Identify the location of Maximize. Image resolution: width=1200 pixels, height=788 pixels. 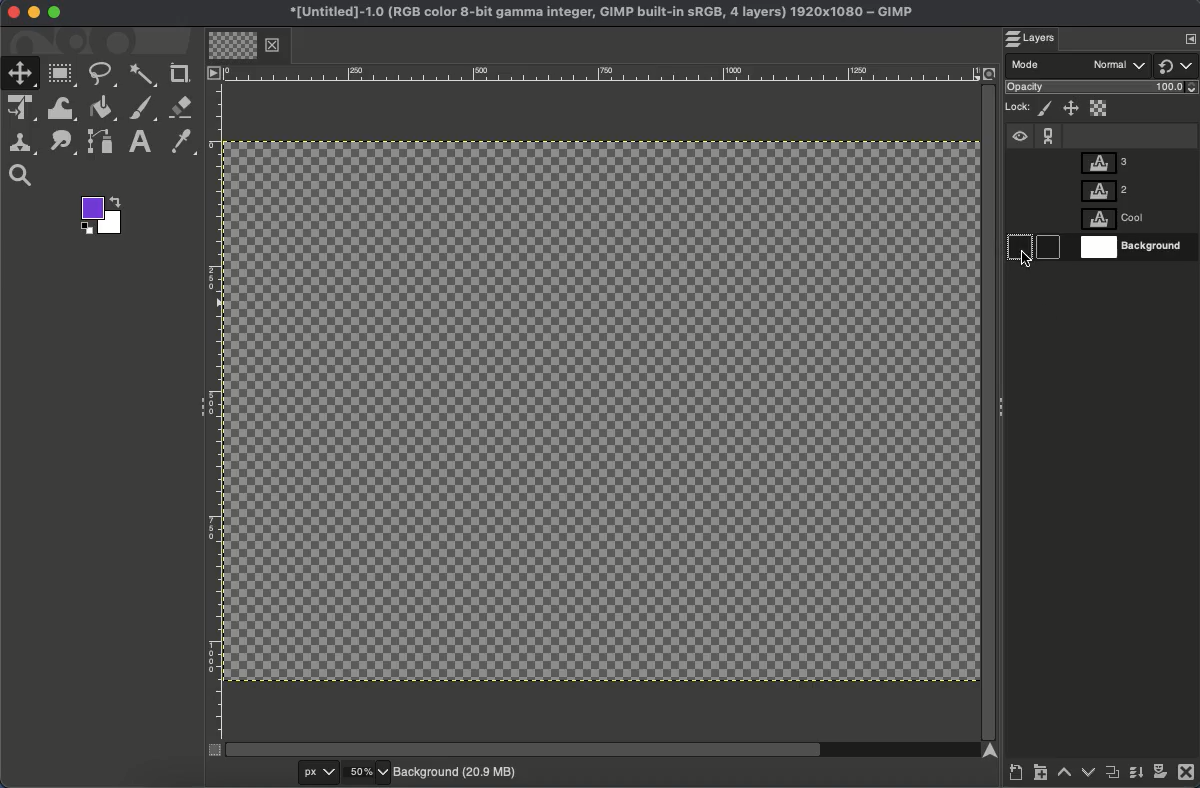
(55, 15).